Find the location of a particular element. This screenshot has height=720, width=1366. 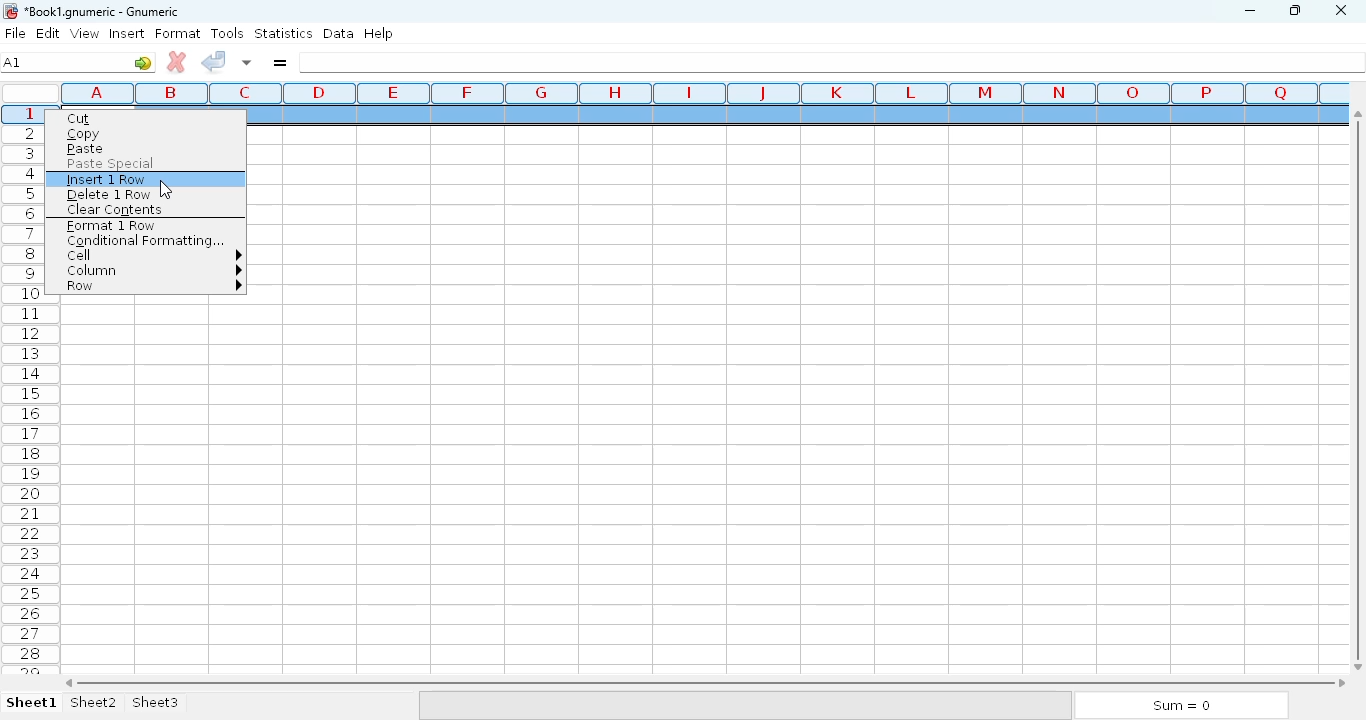

sum = 0 is located at coordinates (1179, 706).